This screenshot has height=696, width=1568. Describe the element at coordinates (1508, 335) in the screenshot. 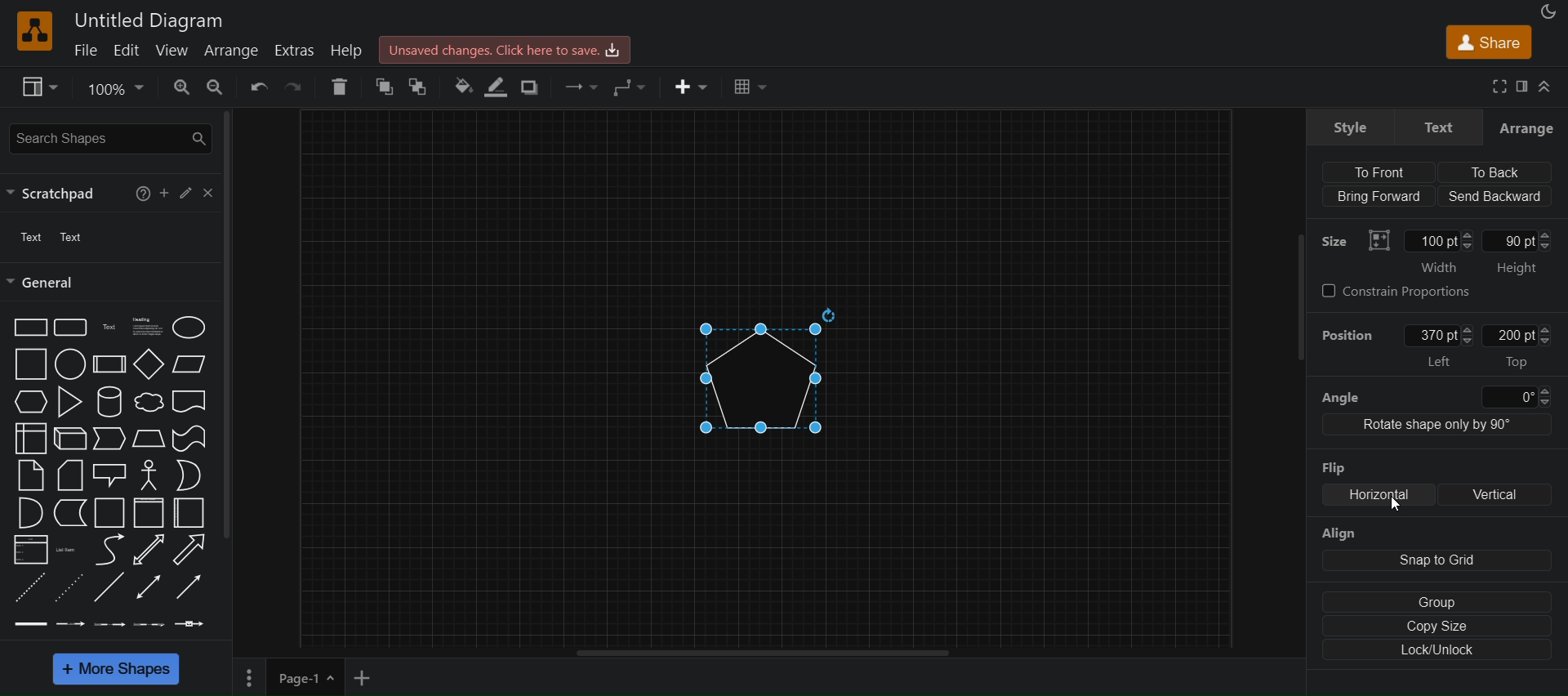

I see `Manually input top position` at that location.